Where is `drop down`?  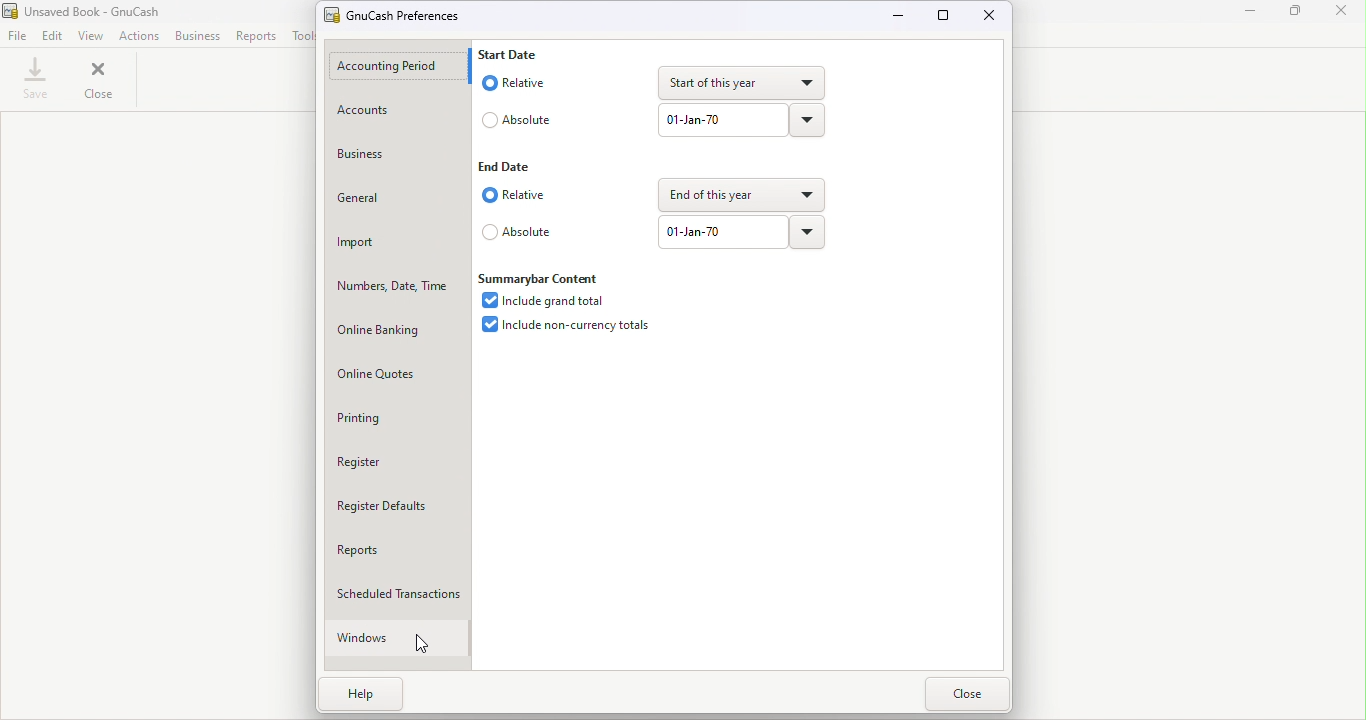
drop down is located at coordinates (736, 197).